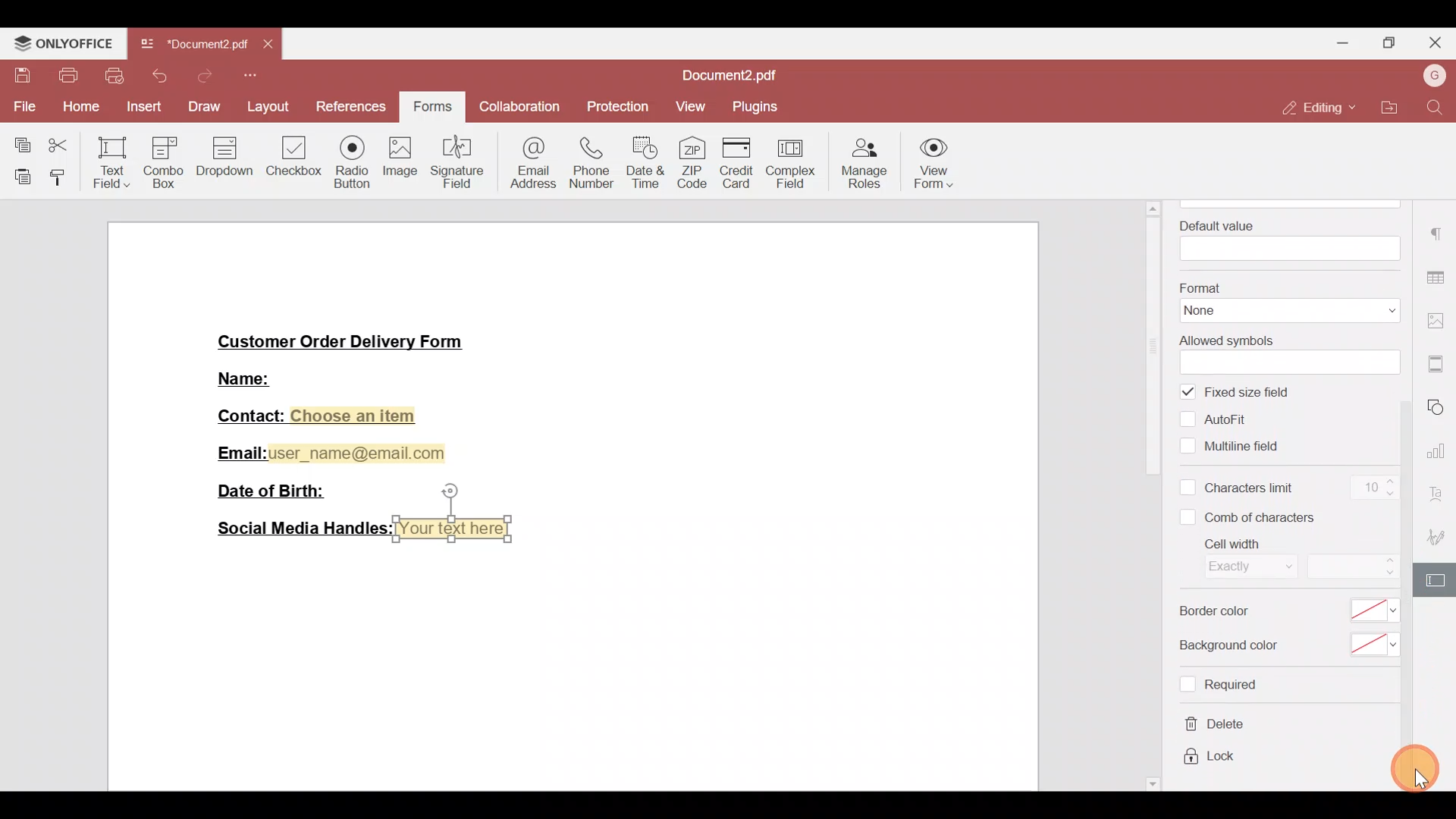 The height and width of the screenshot is (819, 1456). Describe the element at coordinates (60, 146) in the screenshot. I see `Cut` at that location.